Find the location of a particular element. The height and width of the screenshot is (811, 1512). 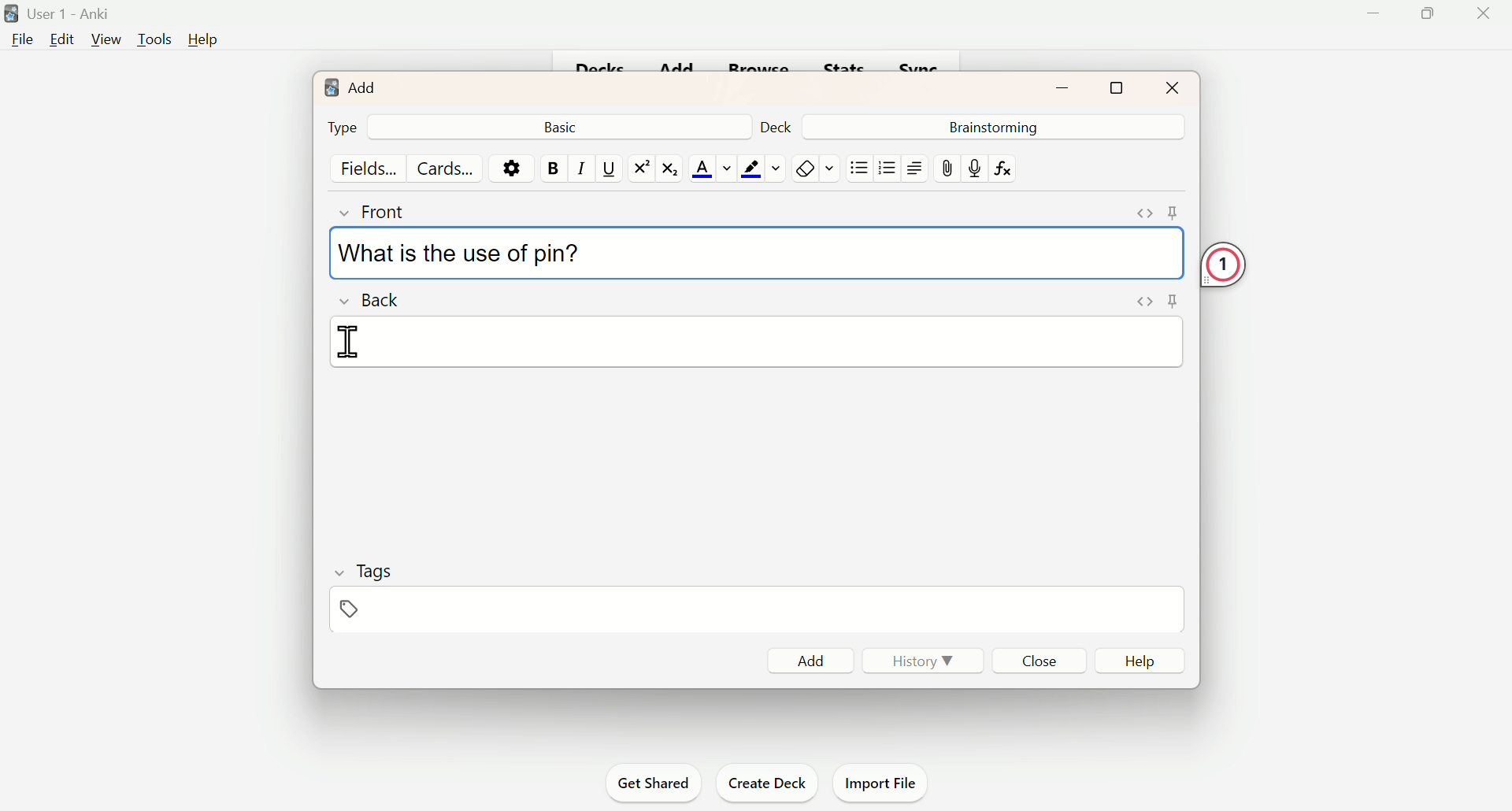

 is located at coordinates (832, 168).